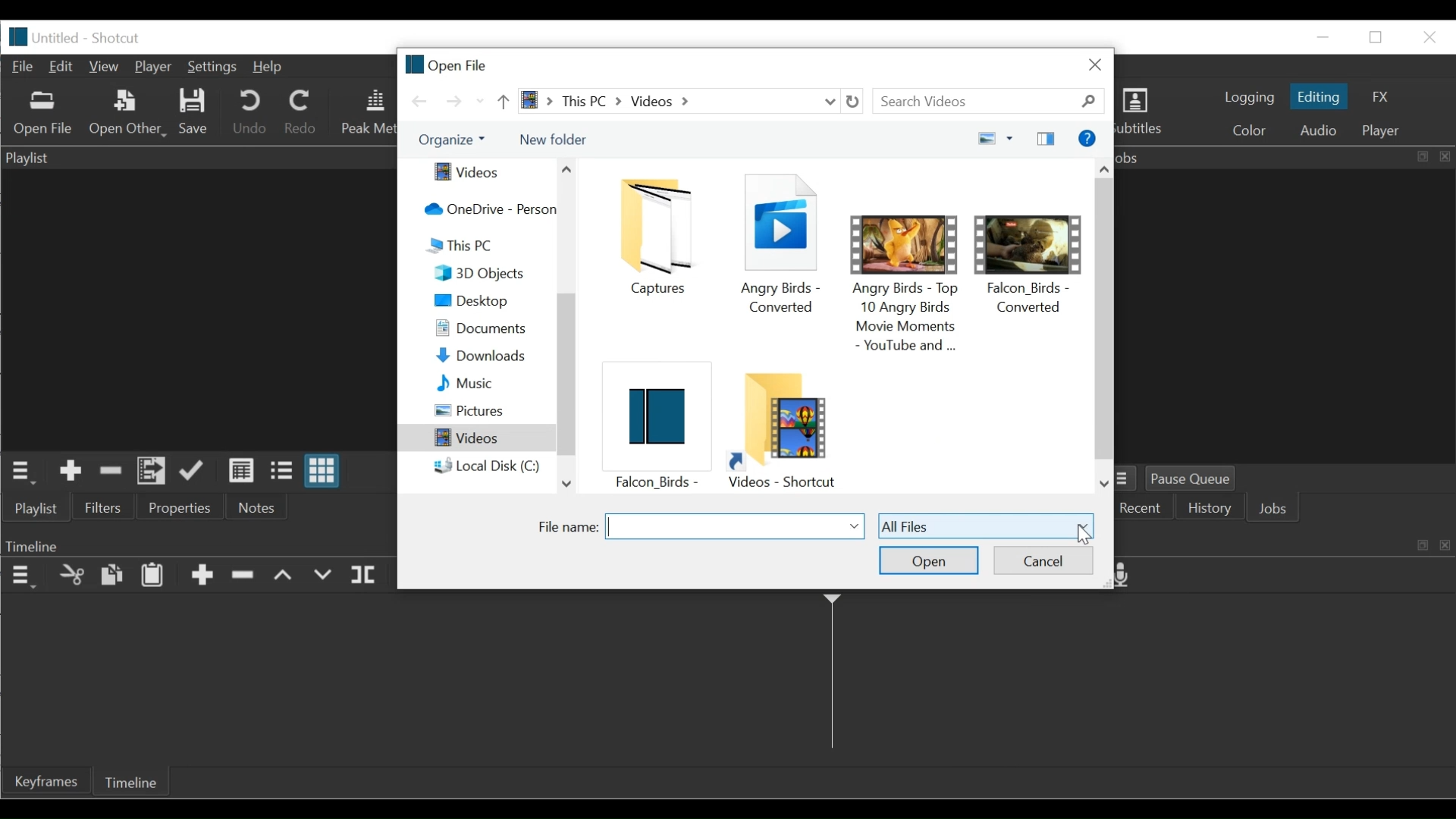 This screenshot has width=1456, height=819. I want to click on Scroll up, so click(567, 169).